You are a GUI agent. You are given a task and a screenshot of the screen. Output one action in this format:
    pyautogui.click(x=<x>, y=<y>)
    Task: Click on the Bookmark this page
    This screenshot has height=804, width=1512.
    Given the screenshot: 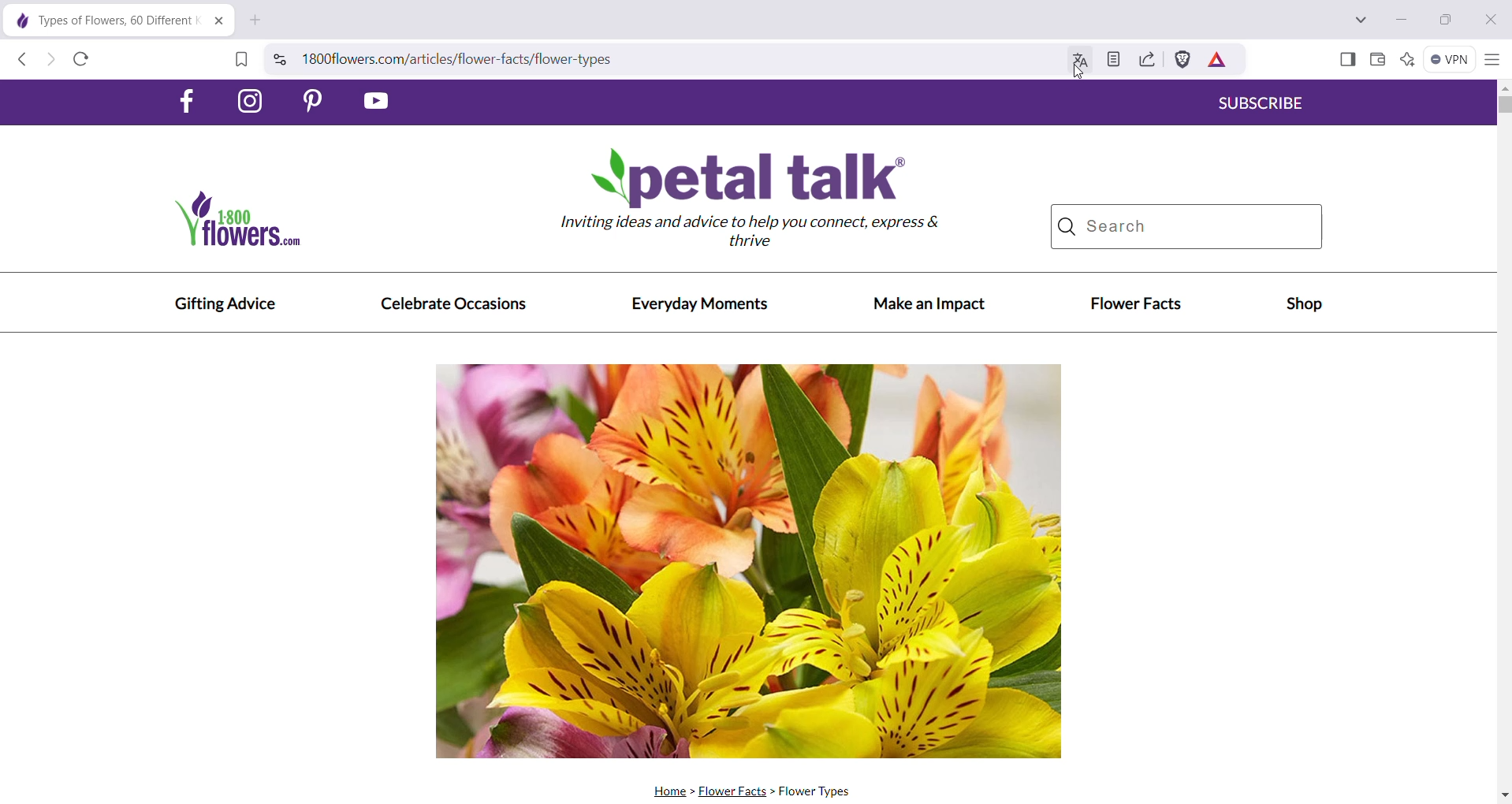 What is the action you would take?
    pyautogui.click(x=242, y=61)
    